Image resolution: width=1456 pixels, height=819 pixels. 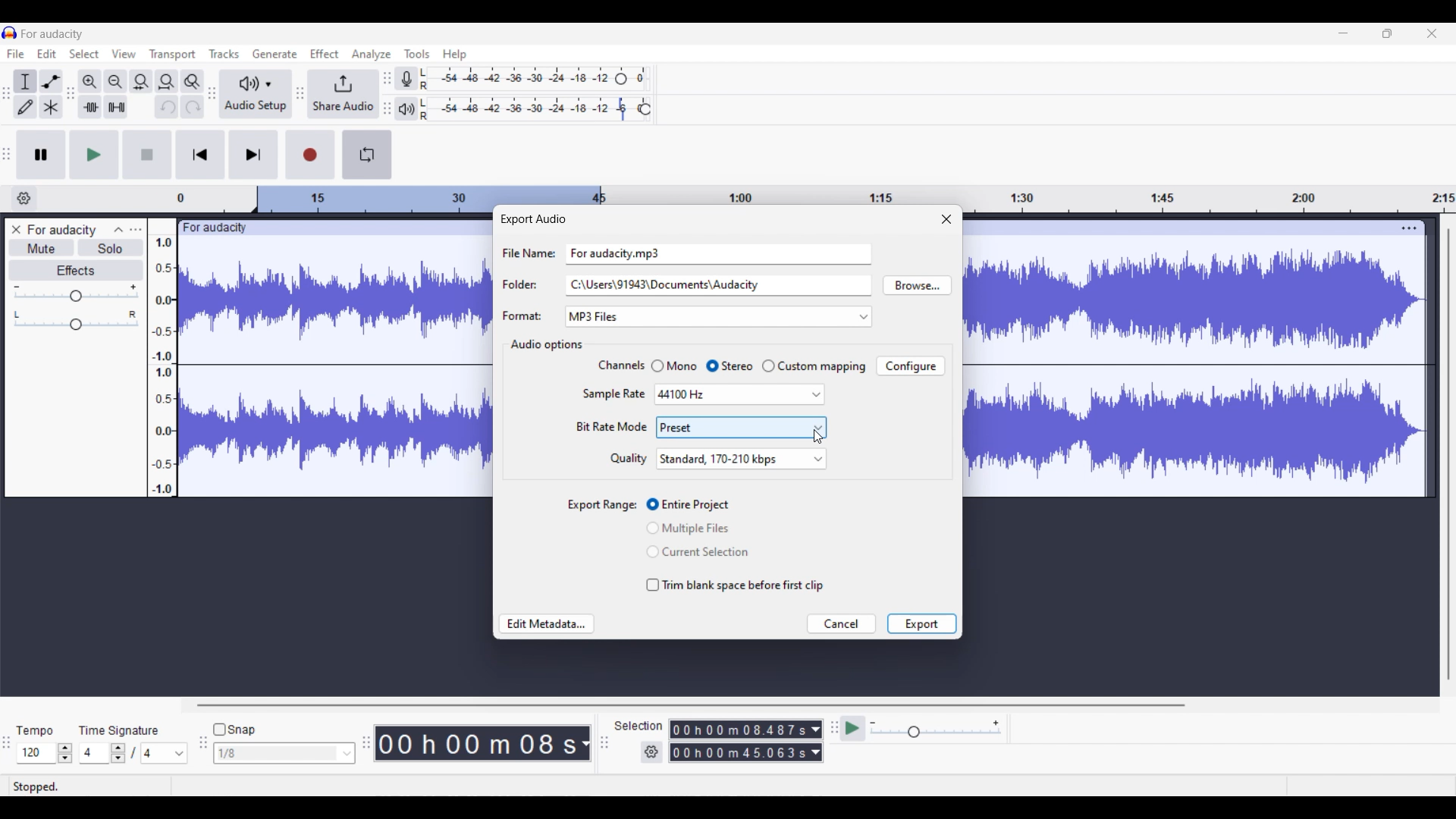 What do you see at coordinates (366, 155) in the screenshot?
I see `Enable looping` at bounding box center [366, 155].